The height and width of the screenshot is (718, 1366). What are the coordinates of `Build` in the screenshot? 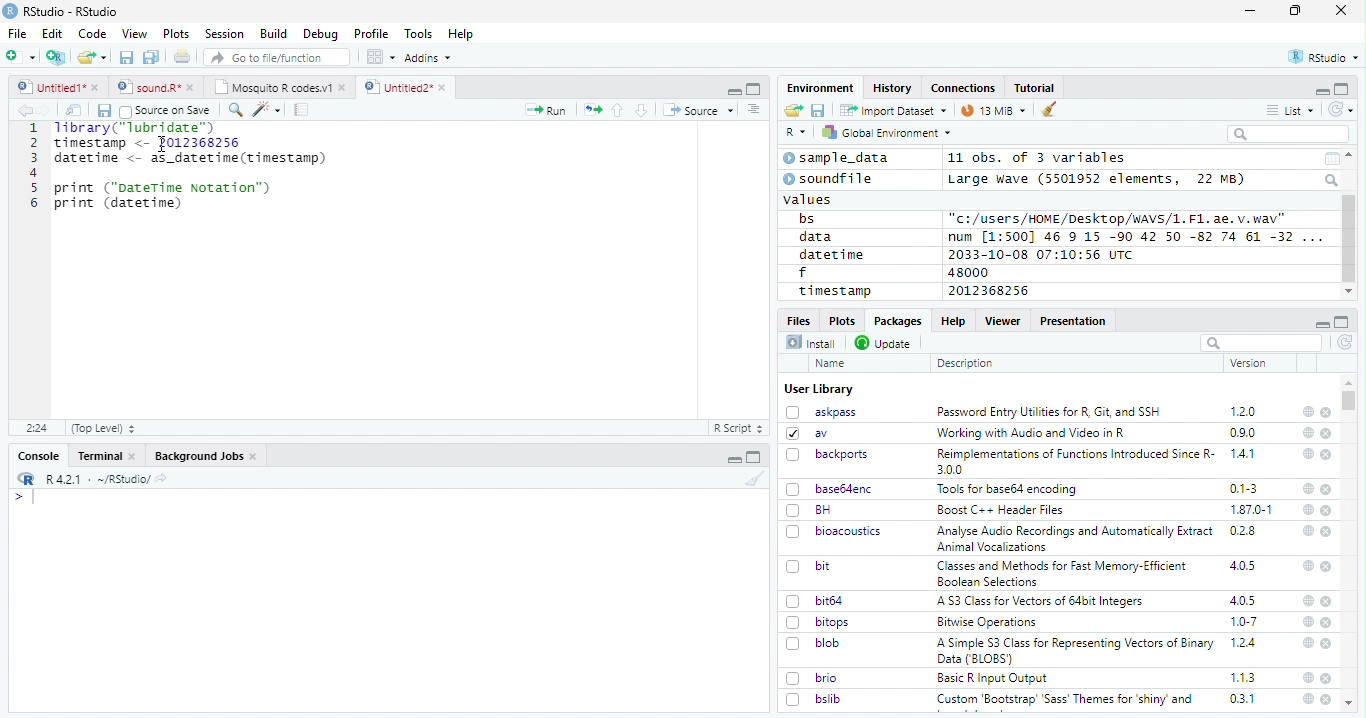 It's located at (273, 34).